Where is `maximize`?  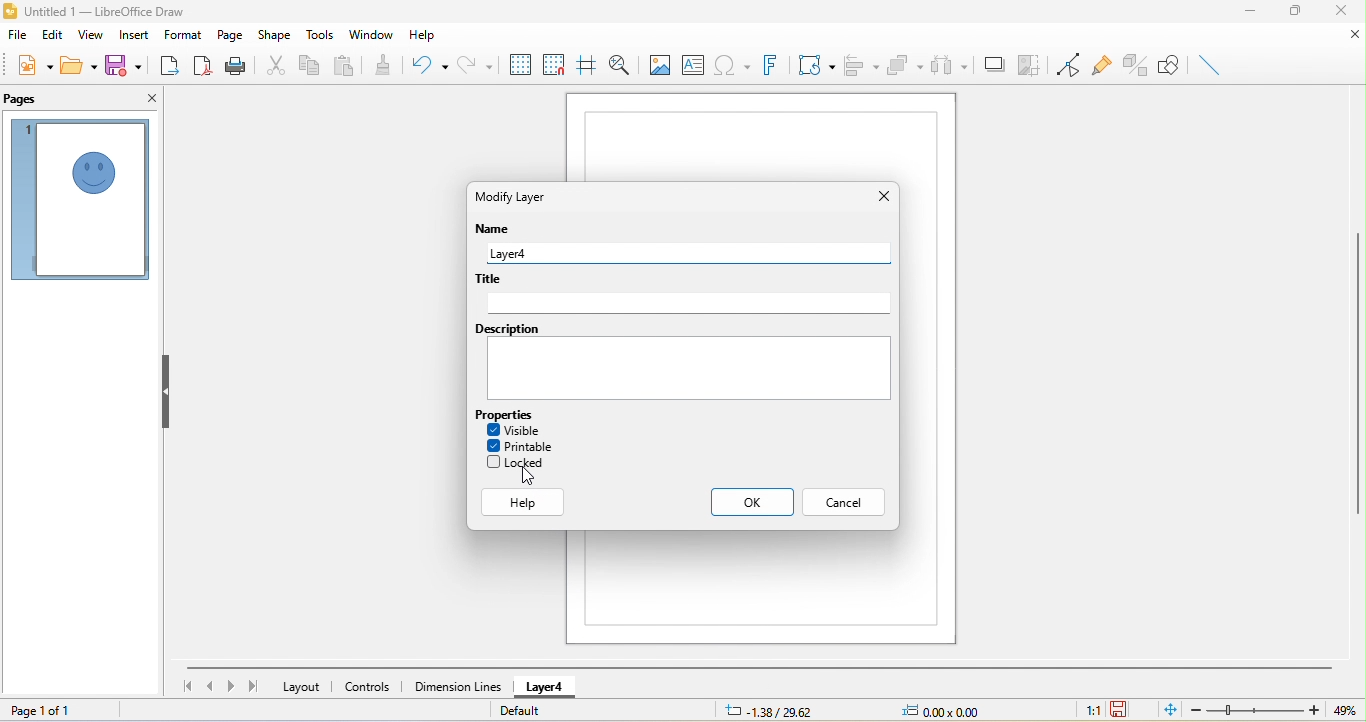
maximize is located at coordinates (1294, 14).